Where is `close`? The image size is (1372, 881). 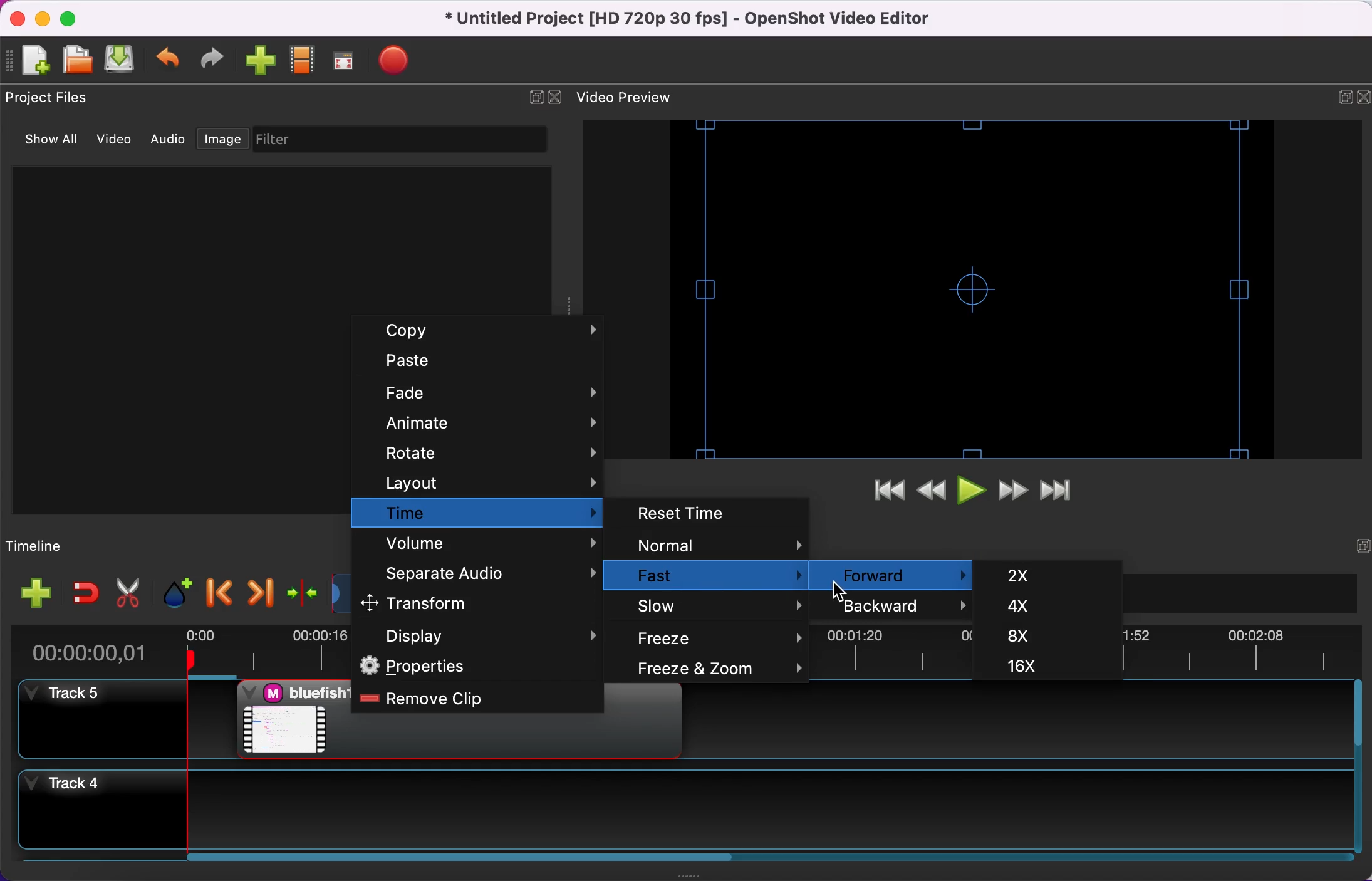 close is located at coordinates (1363, 98).